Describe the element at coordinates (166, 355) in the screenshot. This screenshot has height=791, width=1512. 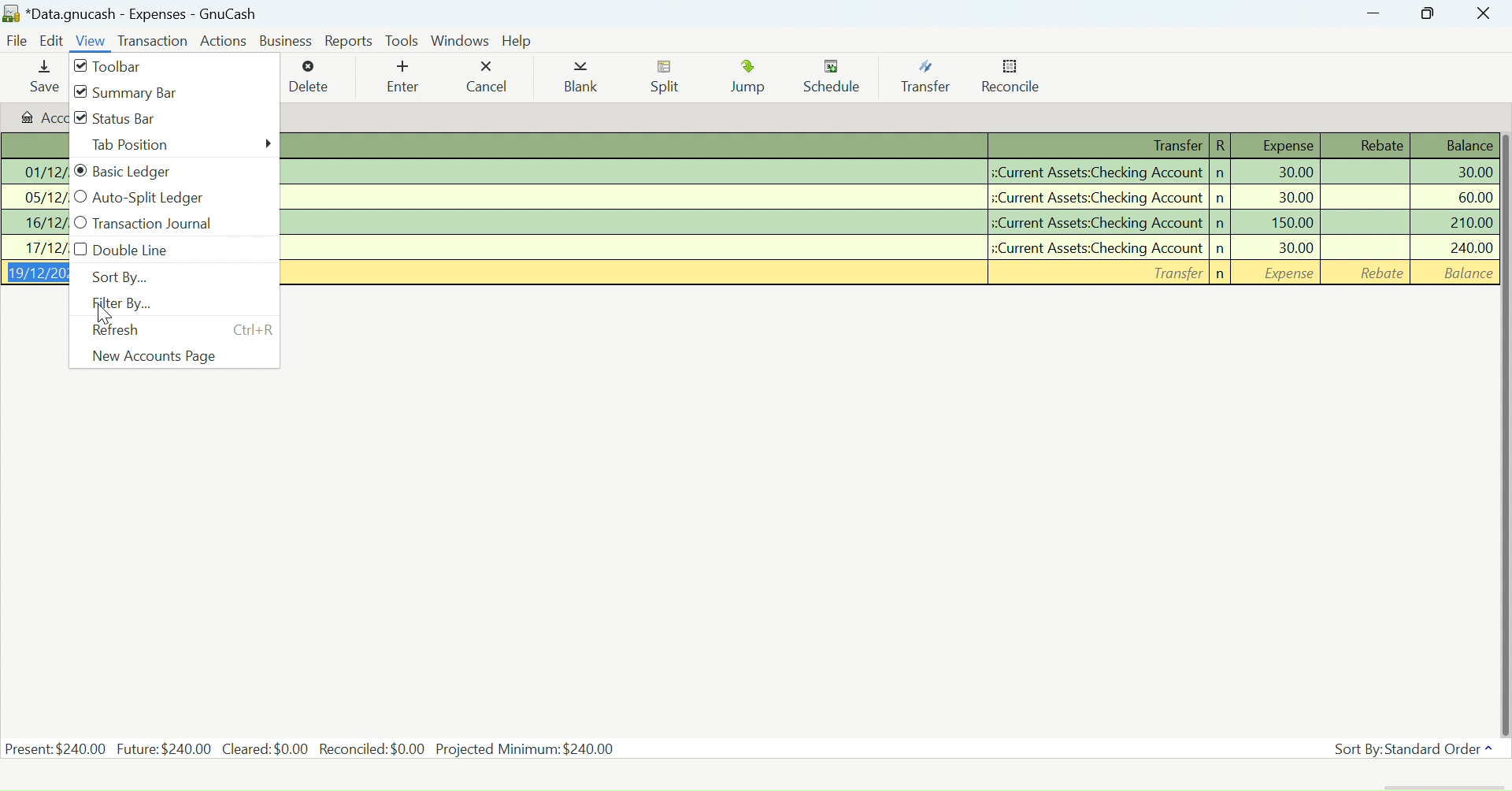
I see `New Accounts Page` at that location.